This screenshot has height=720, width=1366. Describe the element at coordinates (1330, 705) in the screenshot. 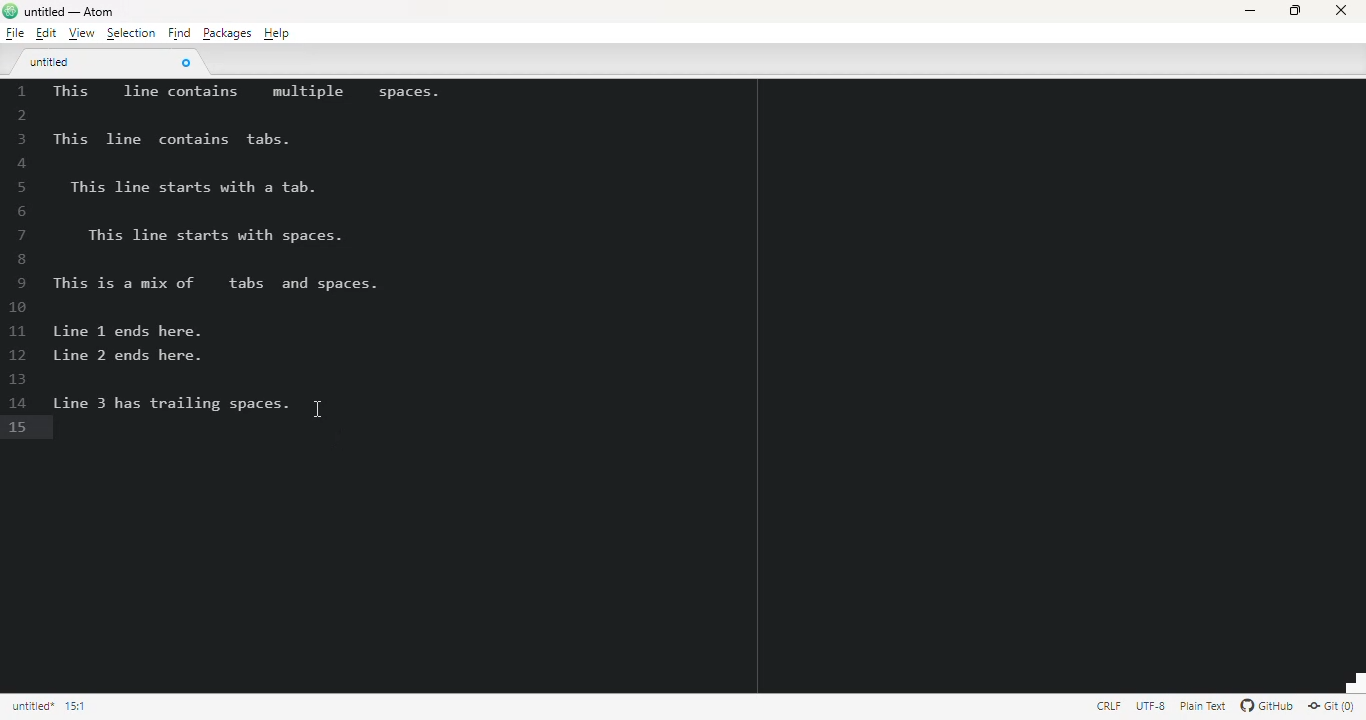

I see `Git(0)` at that location.